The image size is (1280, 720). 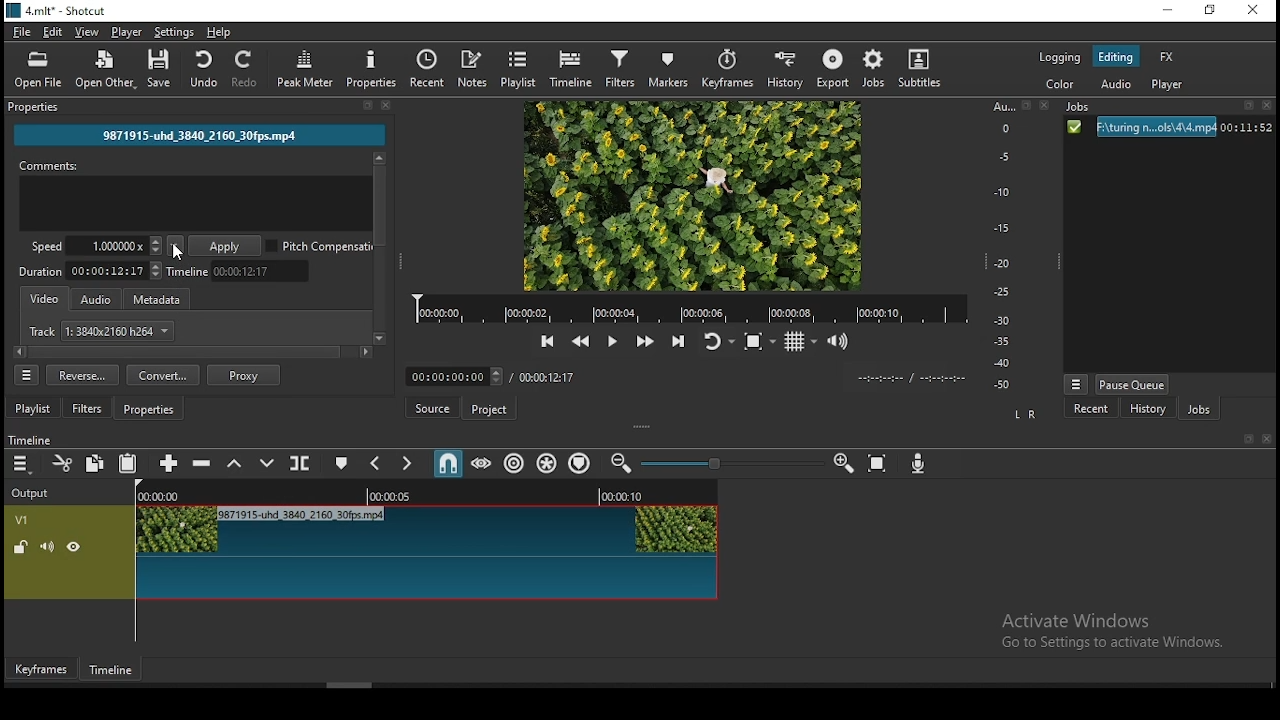 I want to click on undo, so click(x=199, y=68).